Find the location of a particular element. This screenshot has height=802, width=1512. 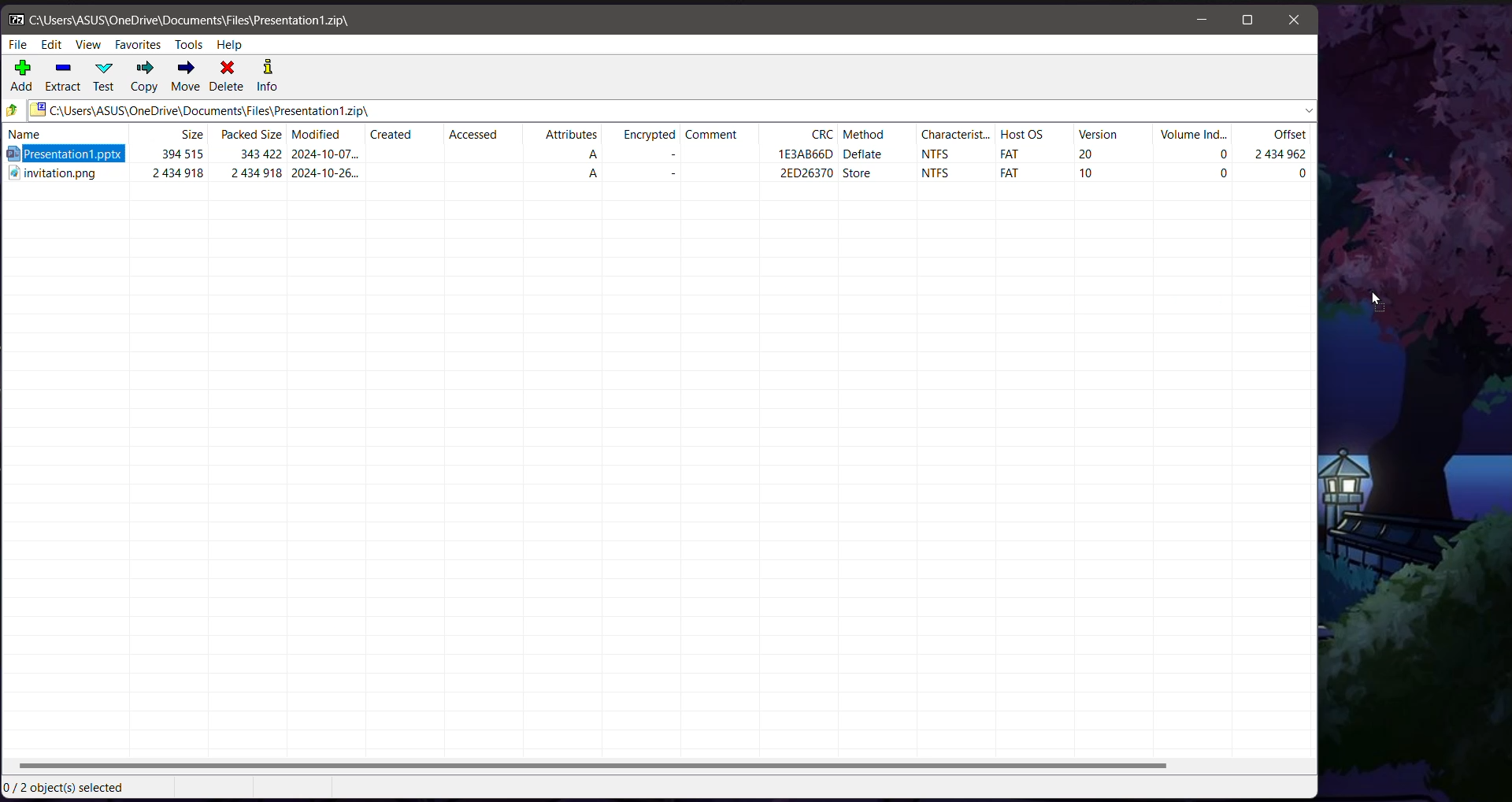

Move is located at coordinates (186, 76).